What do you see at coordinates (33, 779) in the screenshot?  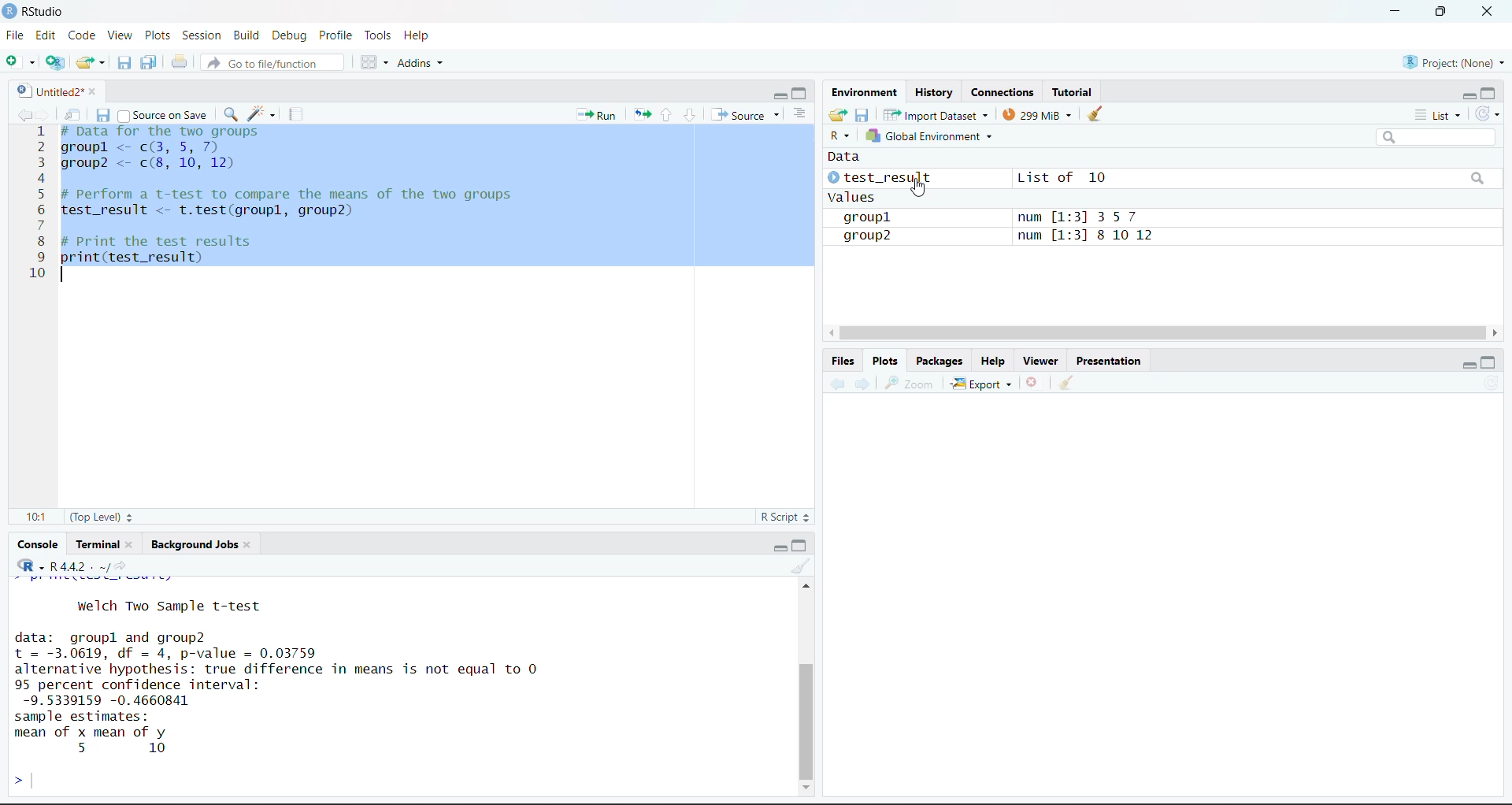 I see `text cursor` at bounding box center [33, 779].